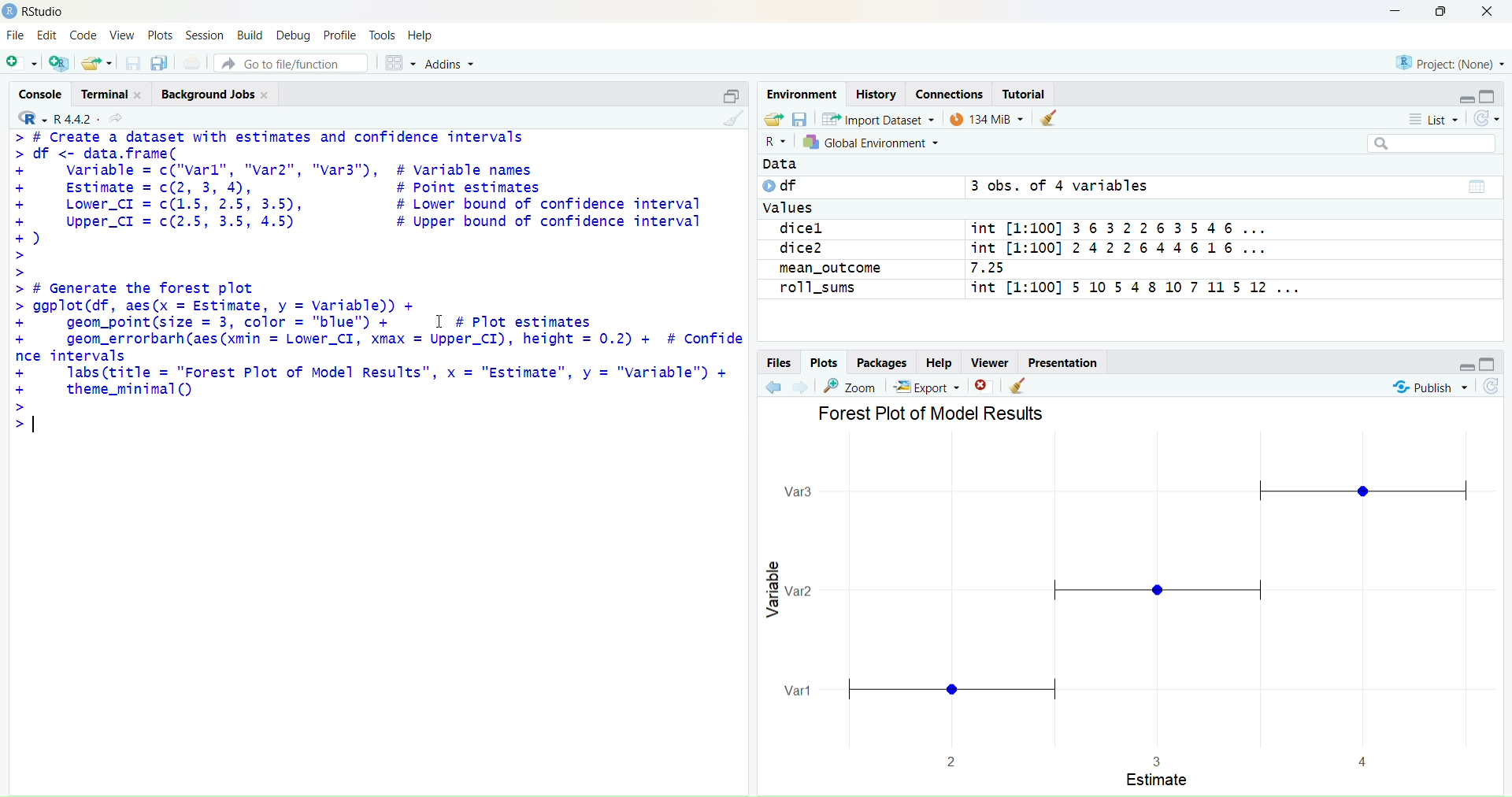  I want to click on Session, so click(203, 35).